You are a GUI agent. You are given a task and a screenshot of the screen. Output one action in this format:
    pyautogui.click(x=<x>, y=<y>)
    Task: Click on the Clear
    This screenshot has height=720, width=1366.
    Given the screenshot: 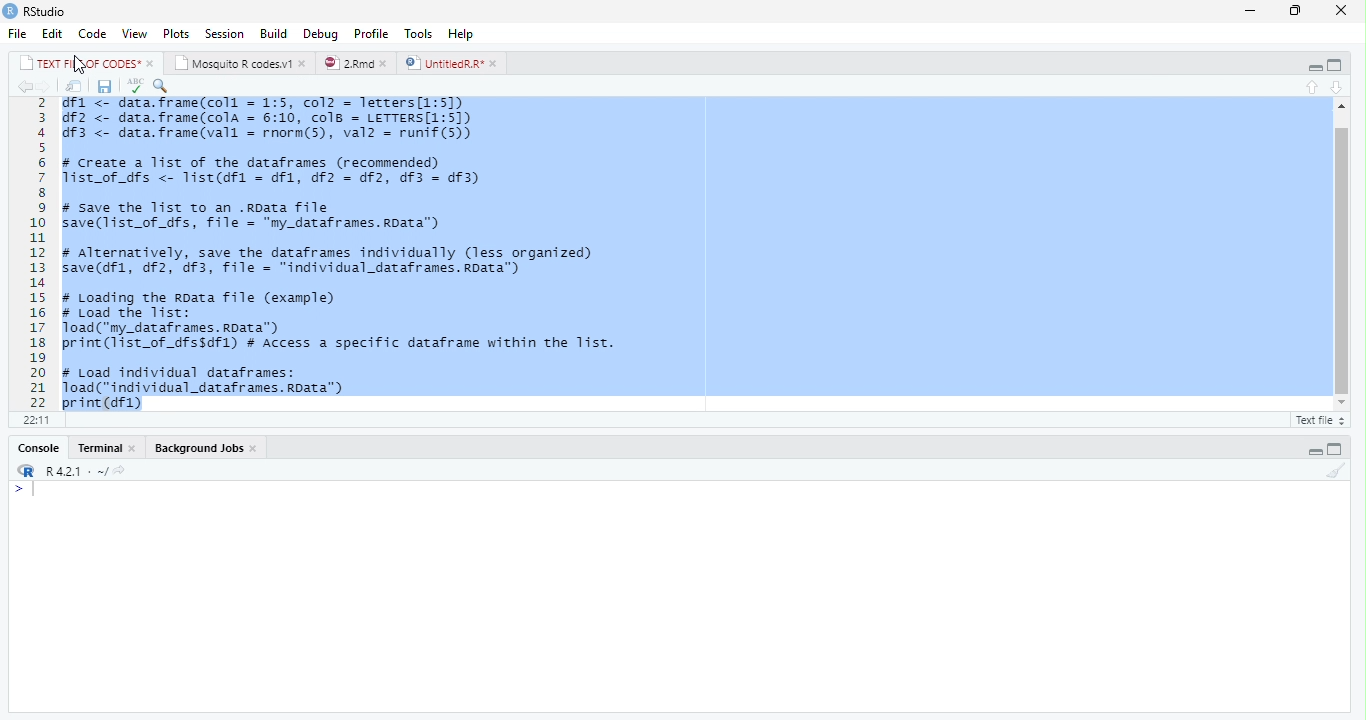 What is the action you would take?
    pyautogui.click(x=1338, y=472)
    